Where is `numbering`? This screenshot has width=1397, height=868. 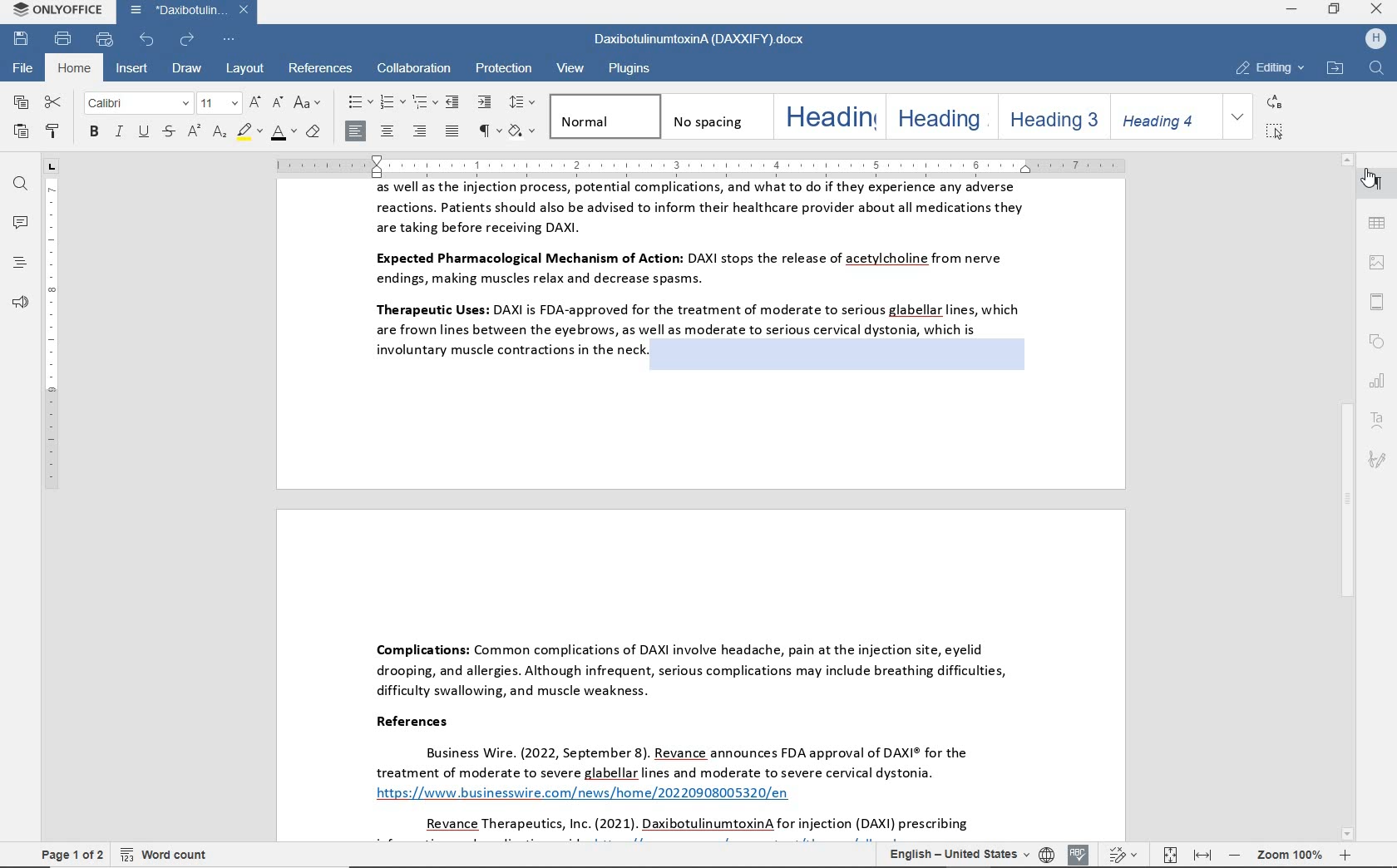
numbering is located at coordinates (390, 103).